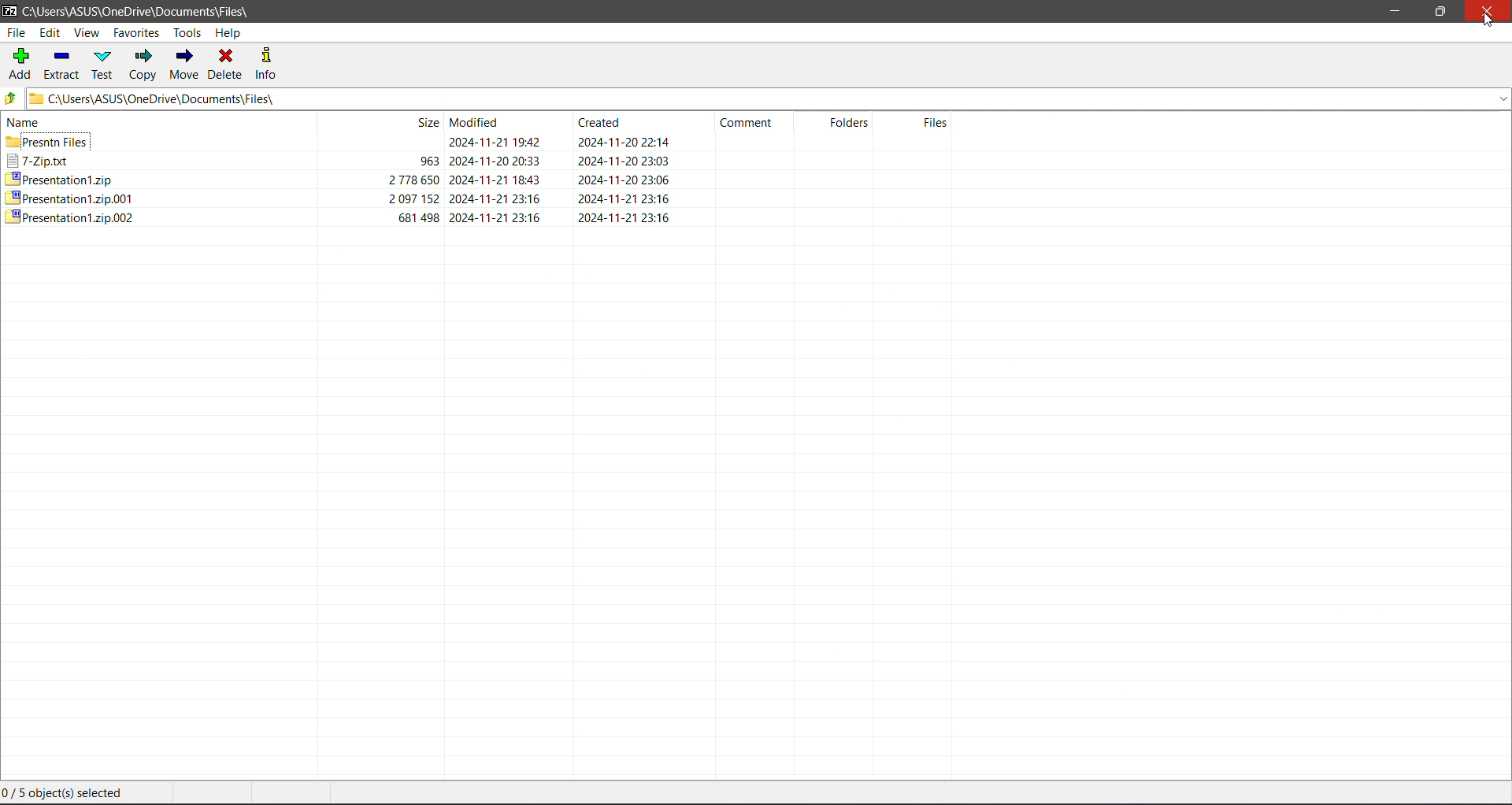  What do you see at coordinates (62, 65) in the screenshot?
I see `Extract` at bounding box center [62, 65].